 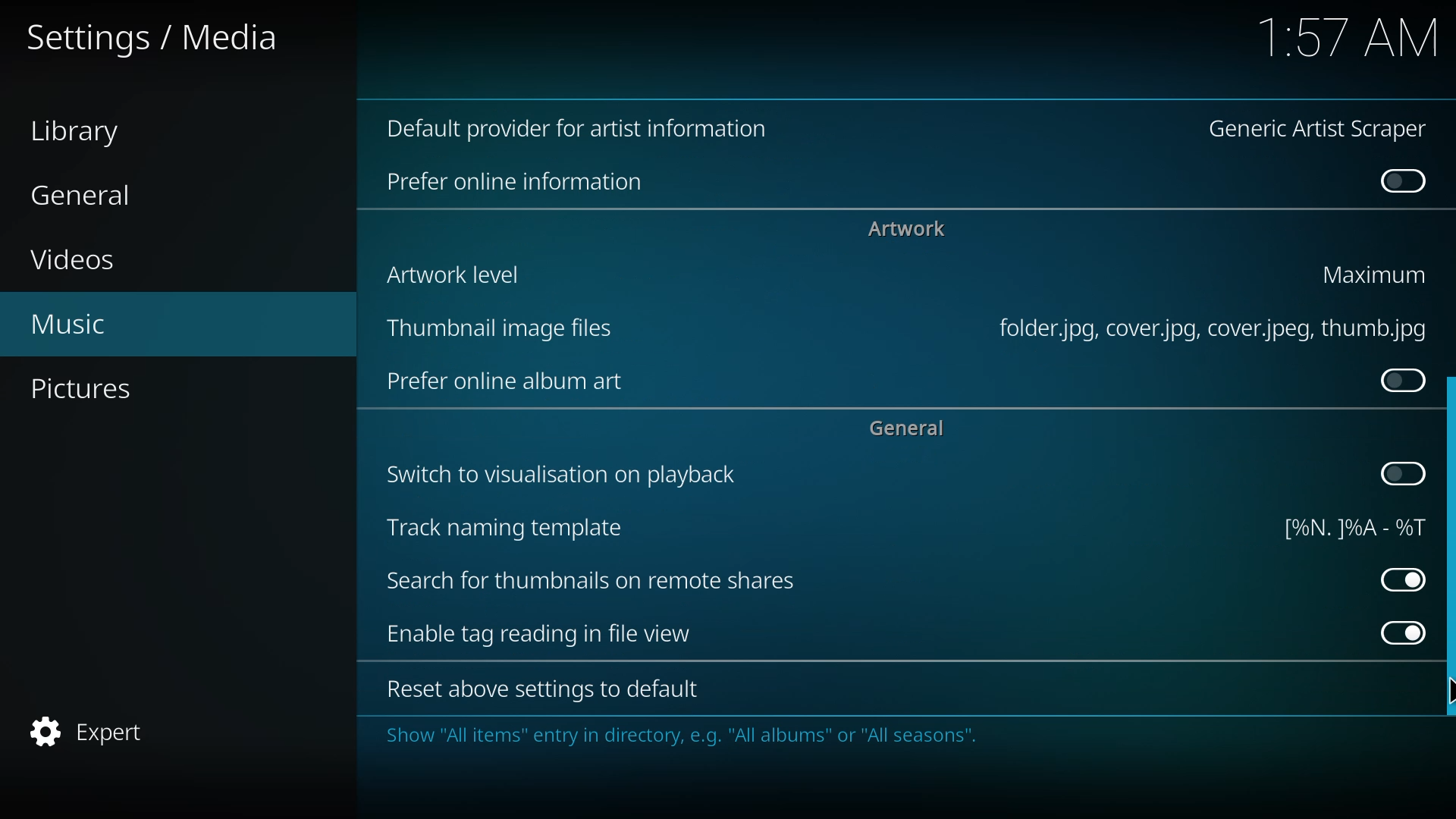 What do you see at coordinates (1376, 274) in the screenshot?
I see `maximum` at bounding box center [1376, 274].